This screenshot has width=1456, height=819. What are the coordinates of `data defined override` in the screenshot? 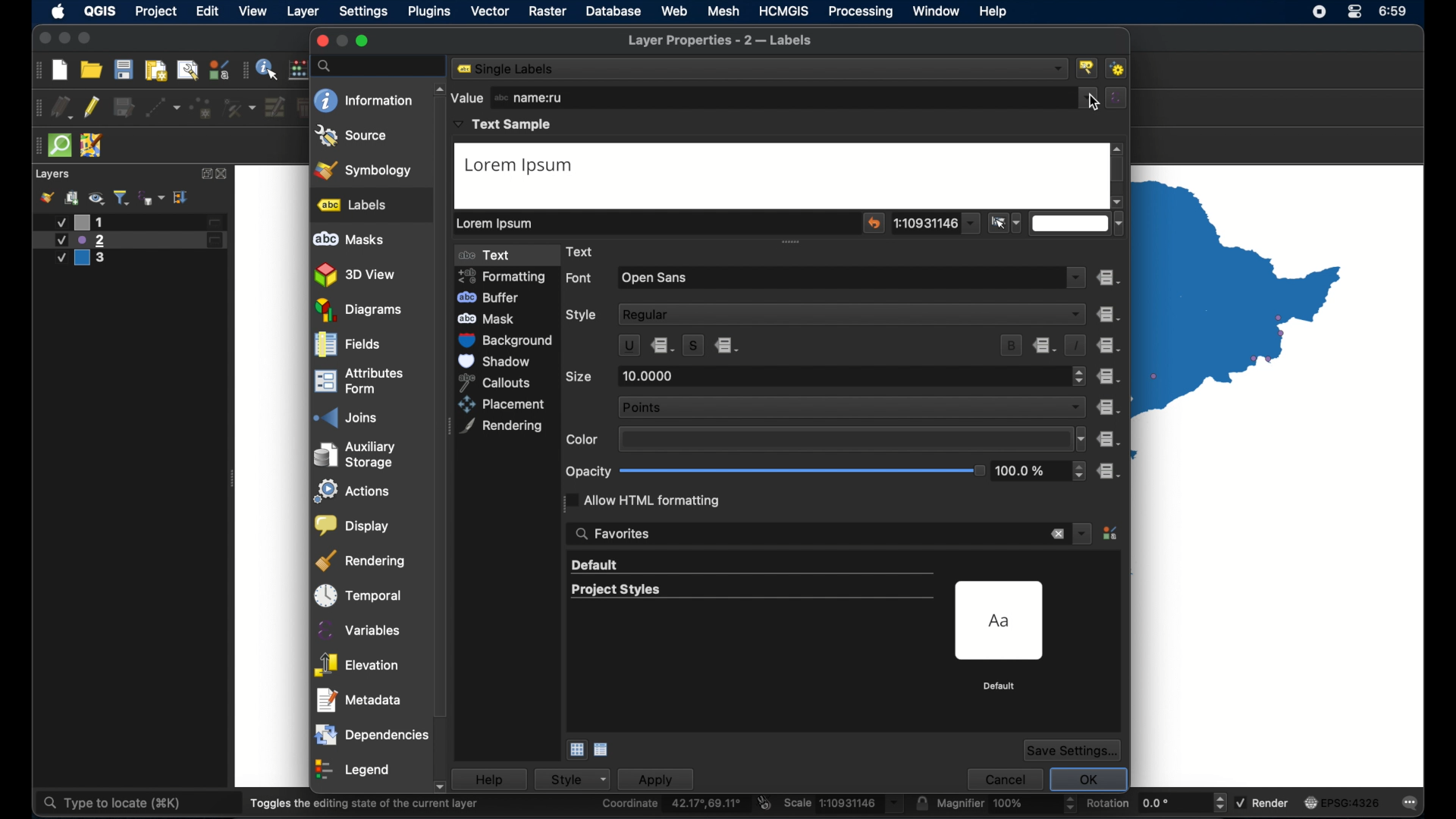 It's located at (1109, 346).